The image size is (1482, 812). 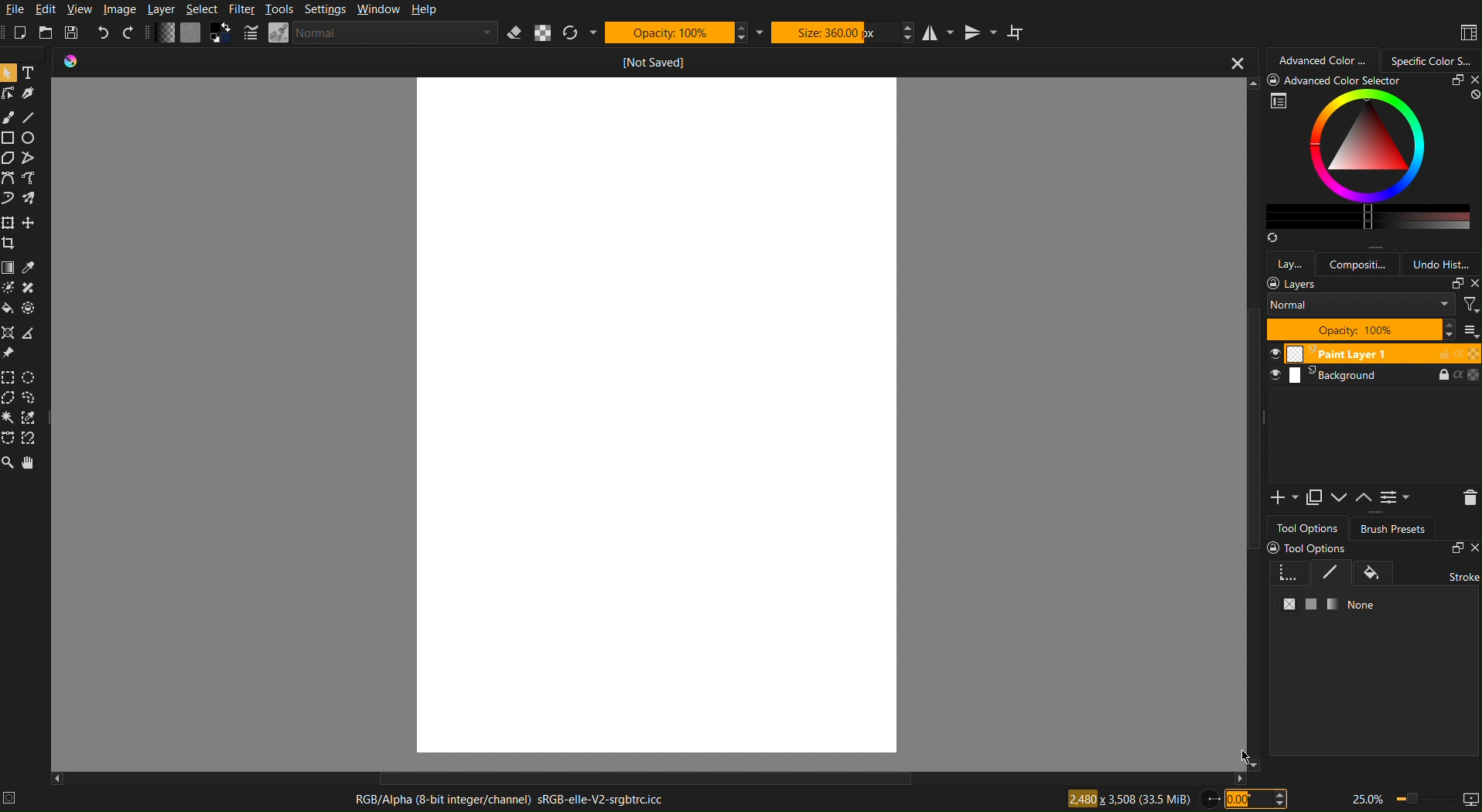 What do you see at coordinates (1463, 32) in the screenshot?
I see `Layout` at bounding box center [1463, 32].